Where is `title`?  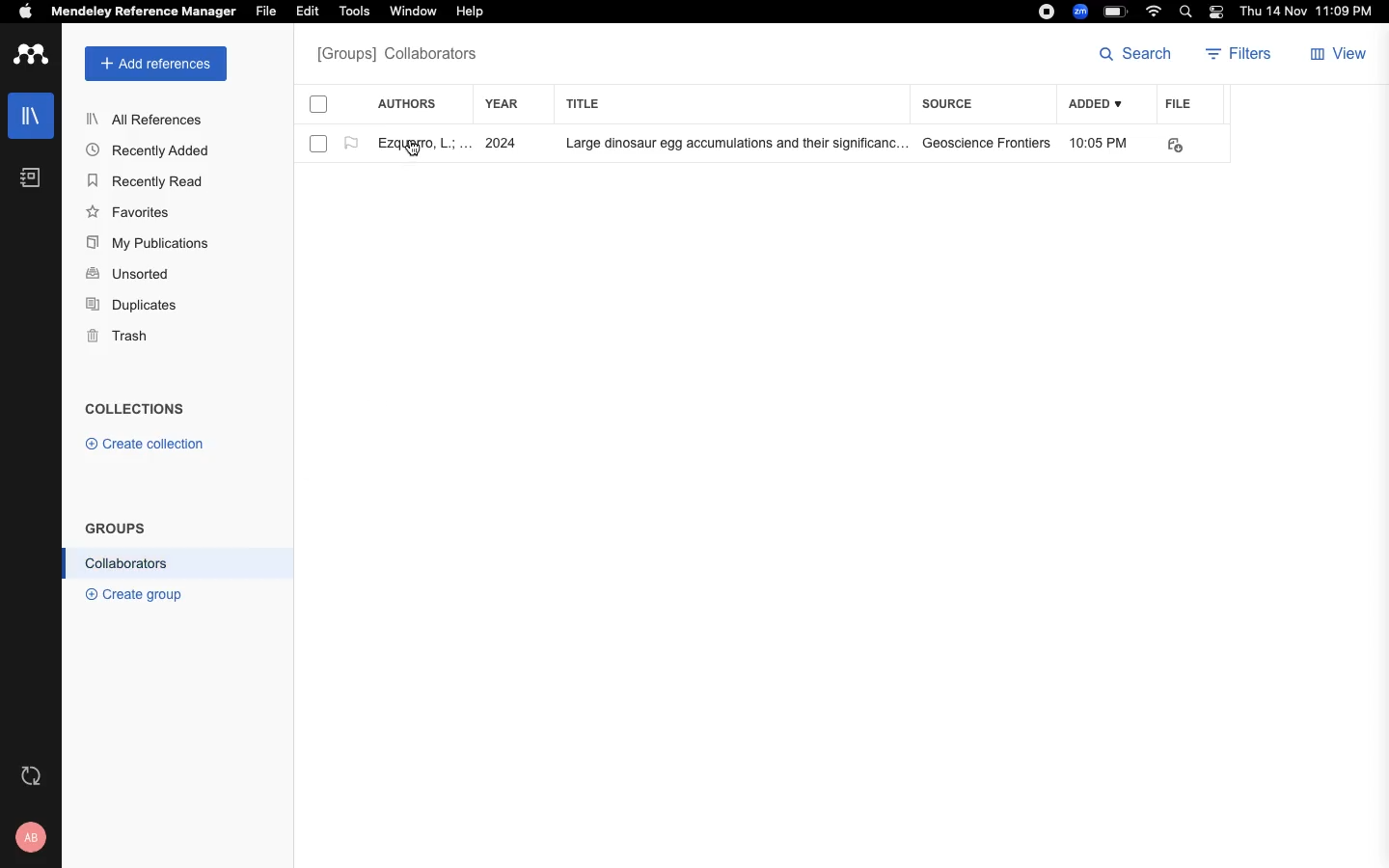
title is located at coordinates (586, 103).